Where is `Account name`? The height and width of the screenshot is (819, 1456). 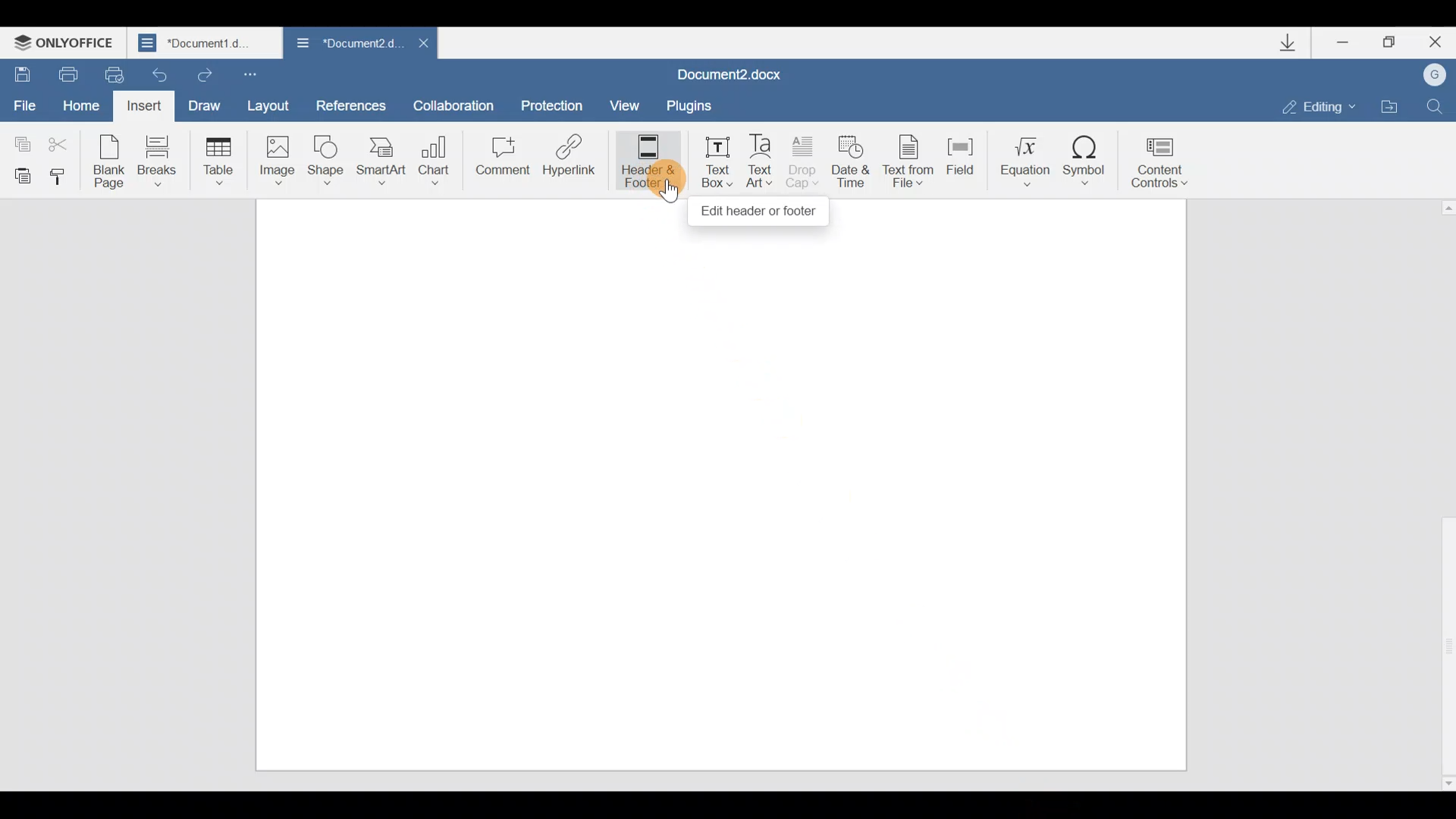 Account name is located at coordinates (1437, 75).